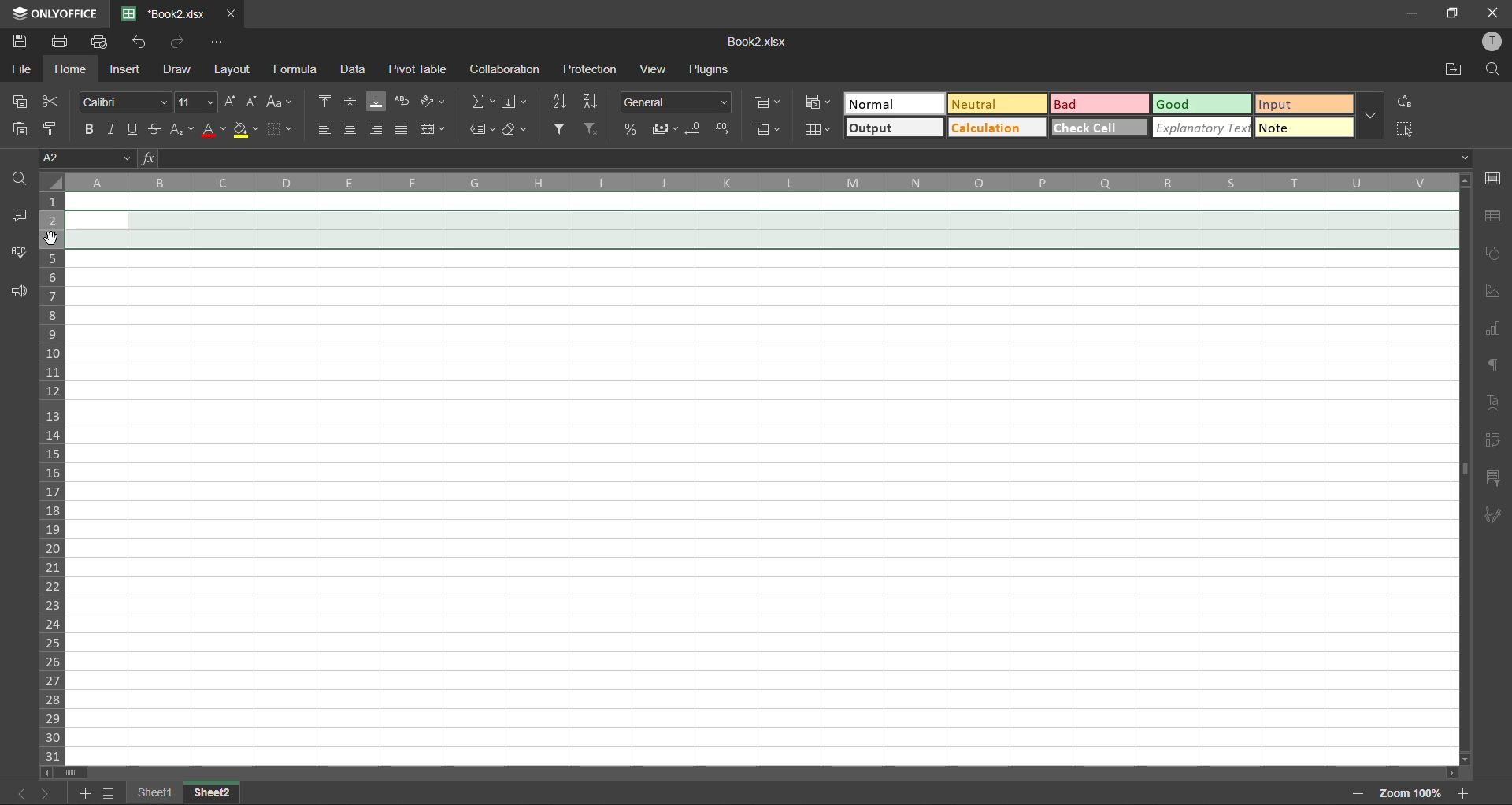 This screenshot has height=805, width=1512. Describe the element at coordinates (996, 105) in the screenshot. I see `neutral` at that location.